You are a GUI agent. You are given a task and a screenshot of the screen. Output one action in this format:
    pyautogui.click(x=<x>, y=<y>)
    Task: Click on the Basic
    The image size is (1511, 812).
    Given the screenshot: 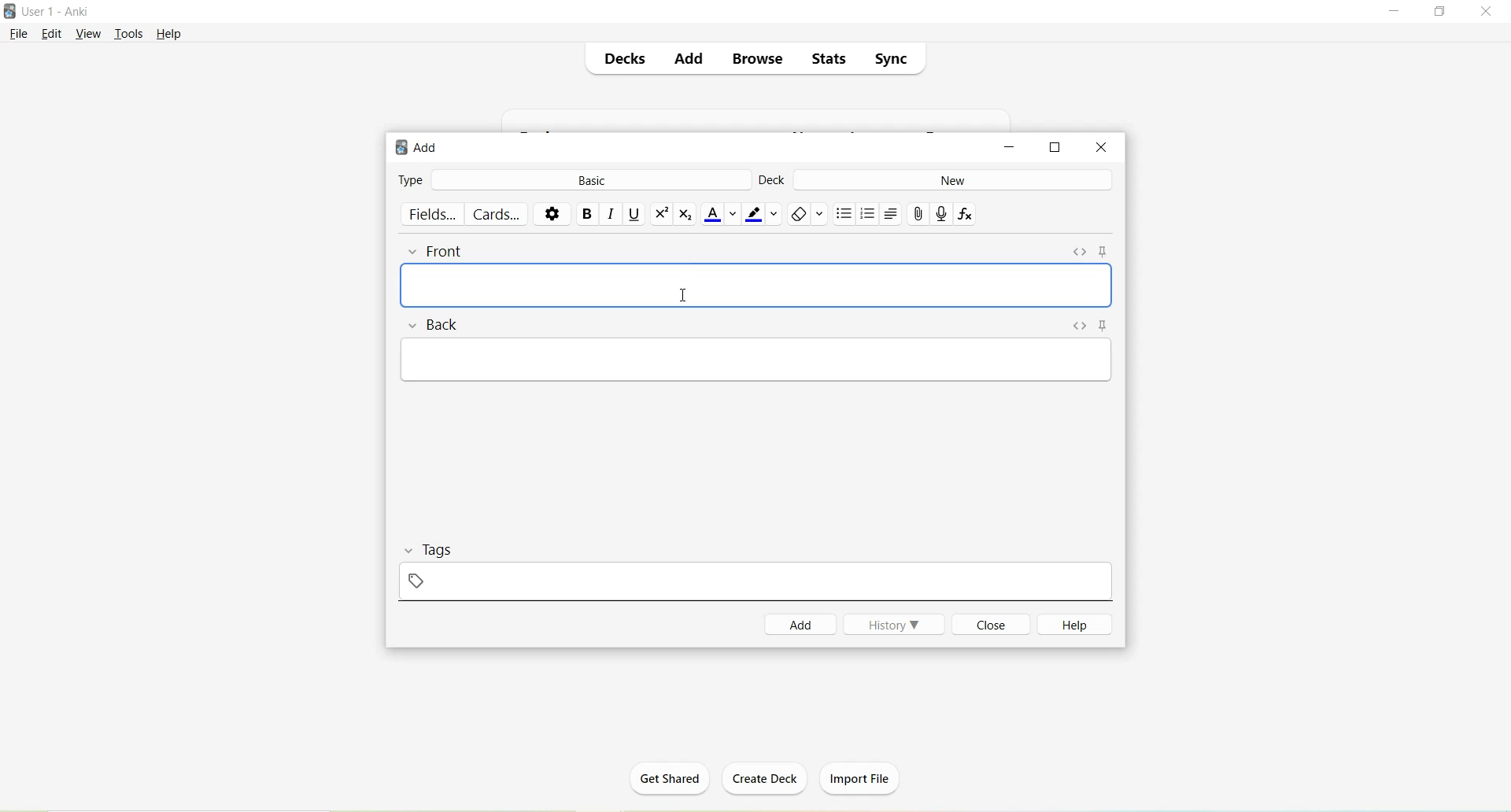 What is the action you would take?
    pyautogui.click(x=588, y=181)
    